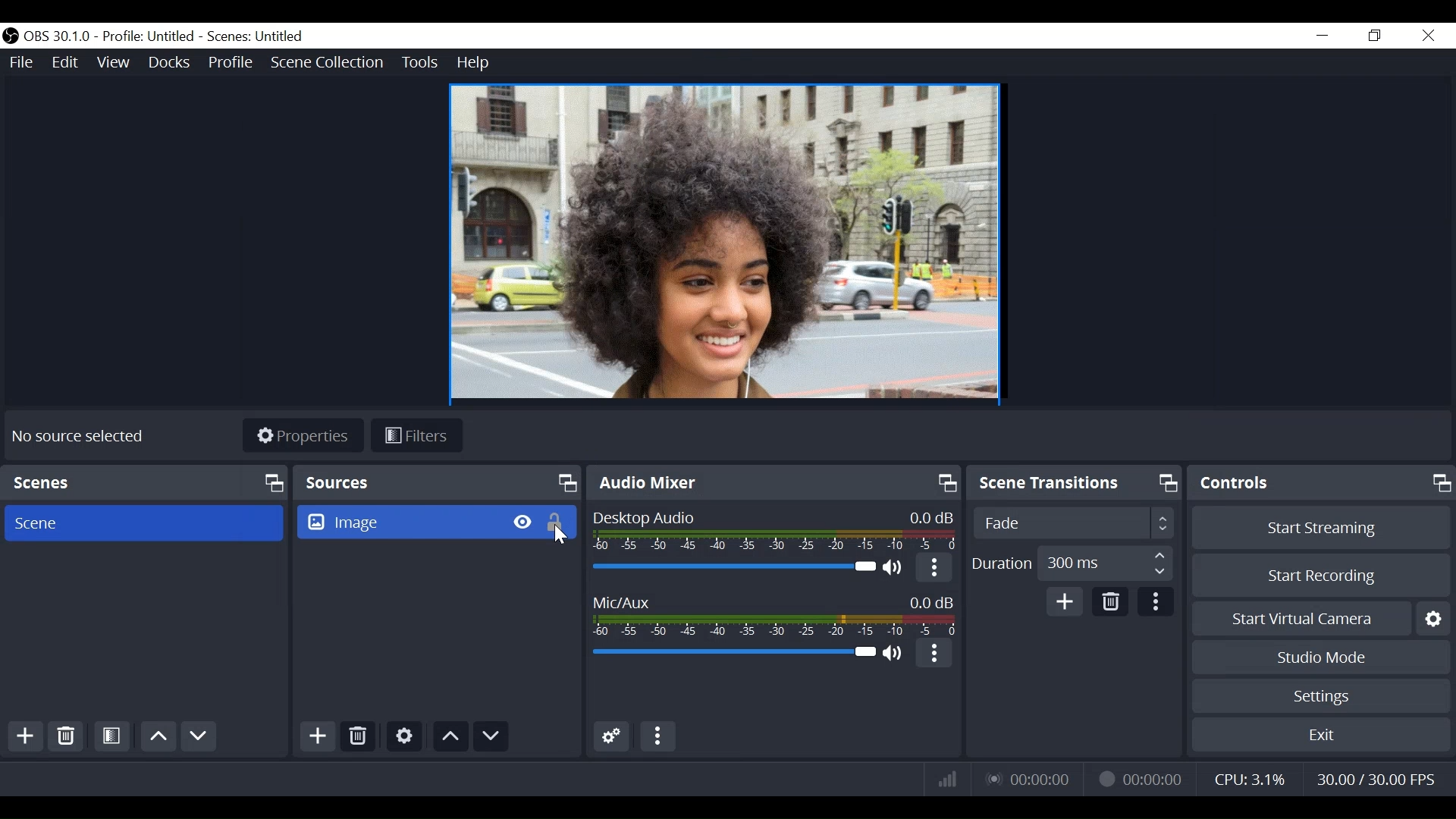 This screenshot has width=1456, height=819. I want to click on Hide/Display Source, so click(522, 522).